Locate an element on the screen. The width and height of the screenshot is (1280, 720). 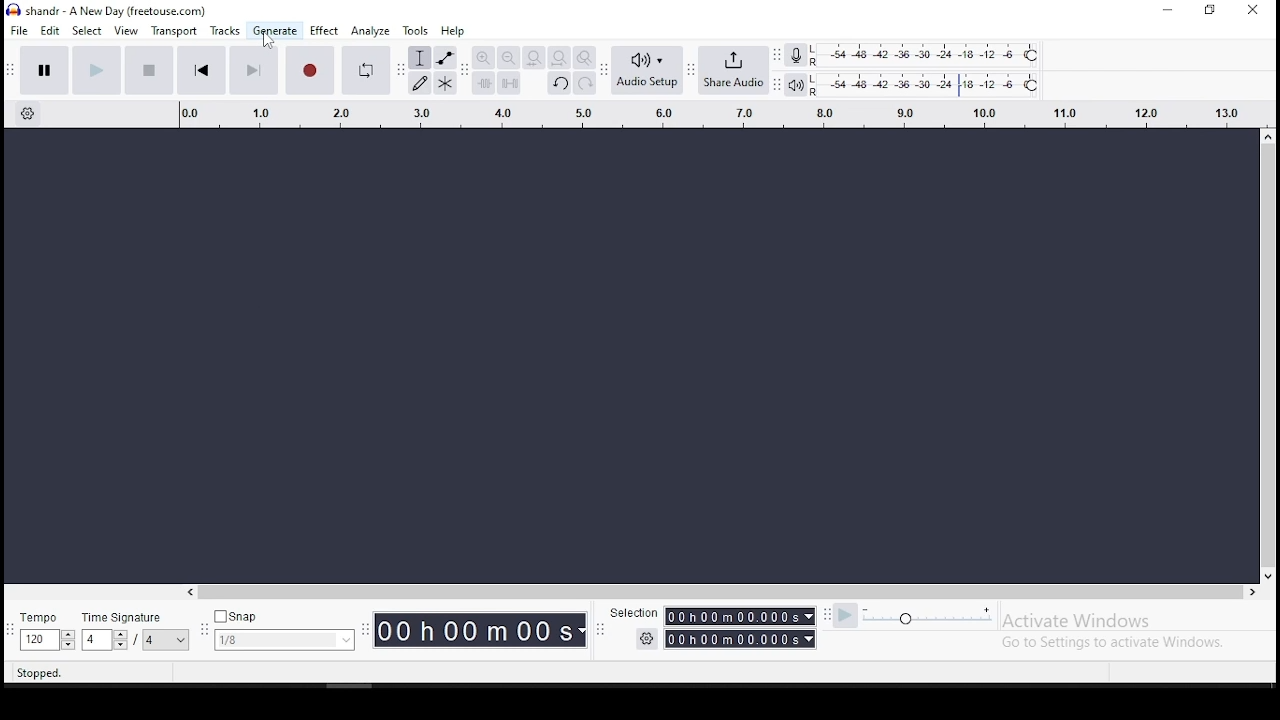
stop is located at coordinates (150, 69).